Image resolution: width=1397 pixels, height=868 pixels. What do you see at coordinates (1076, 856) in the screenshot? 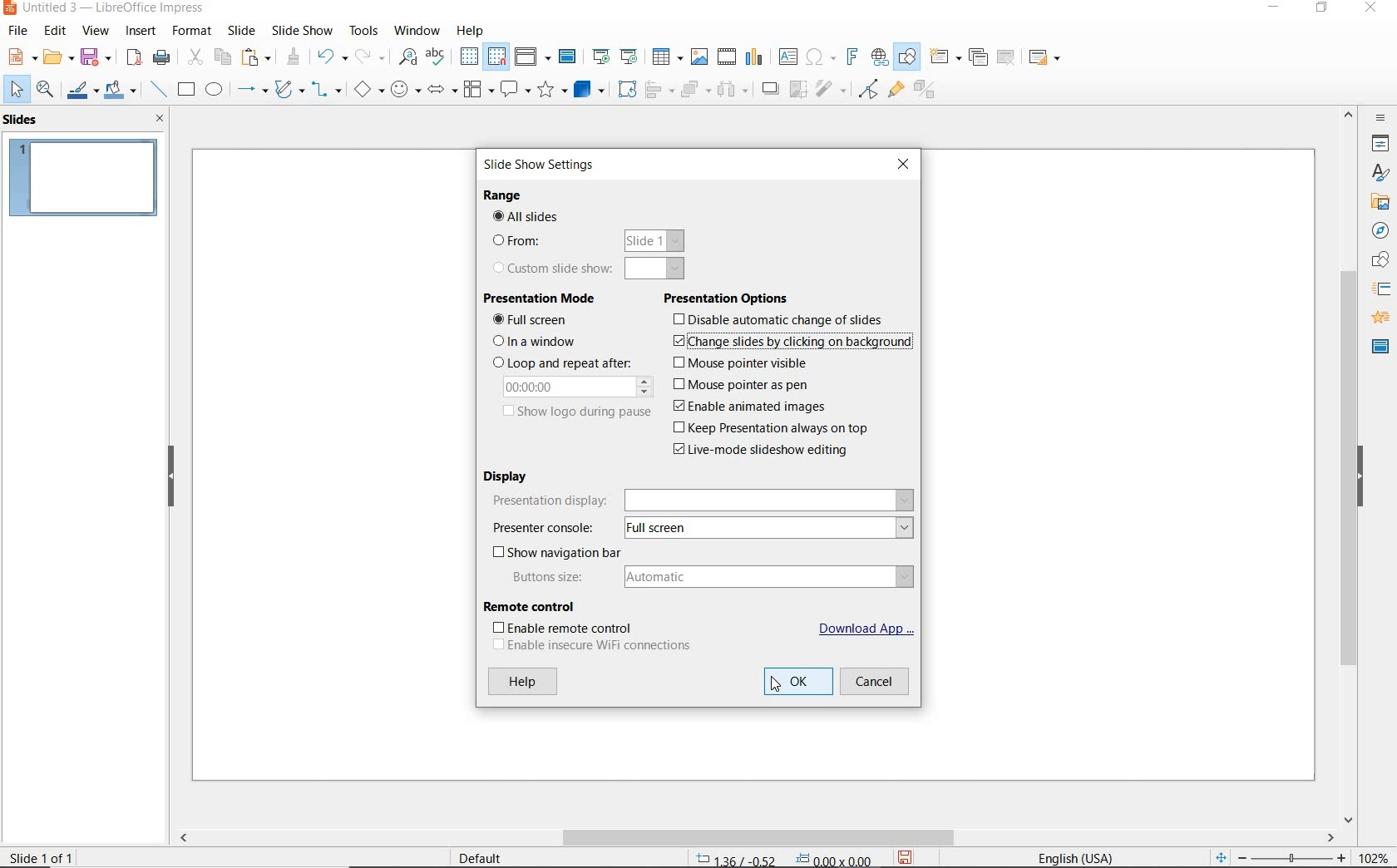
I see `TEXT LANGUAGE` at bounding box center [1076, 856].